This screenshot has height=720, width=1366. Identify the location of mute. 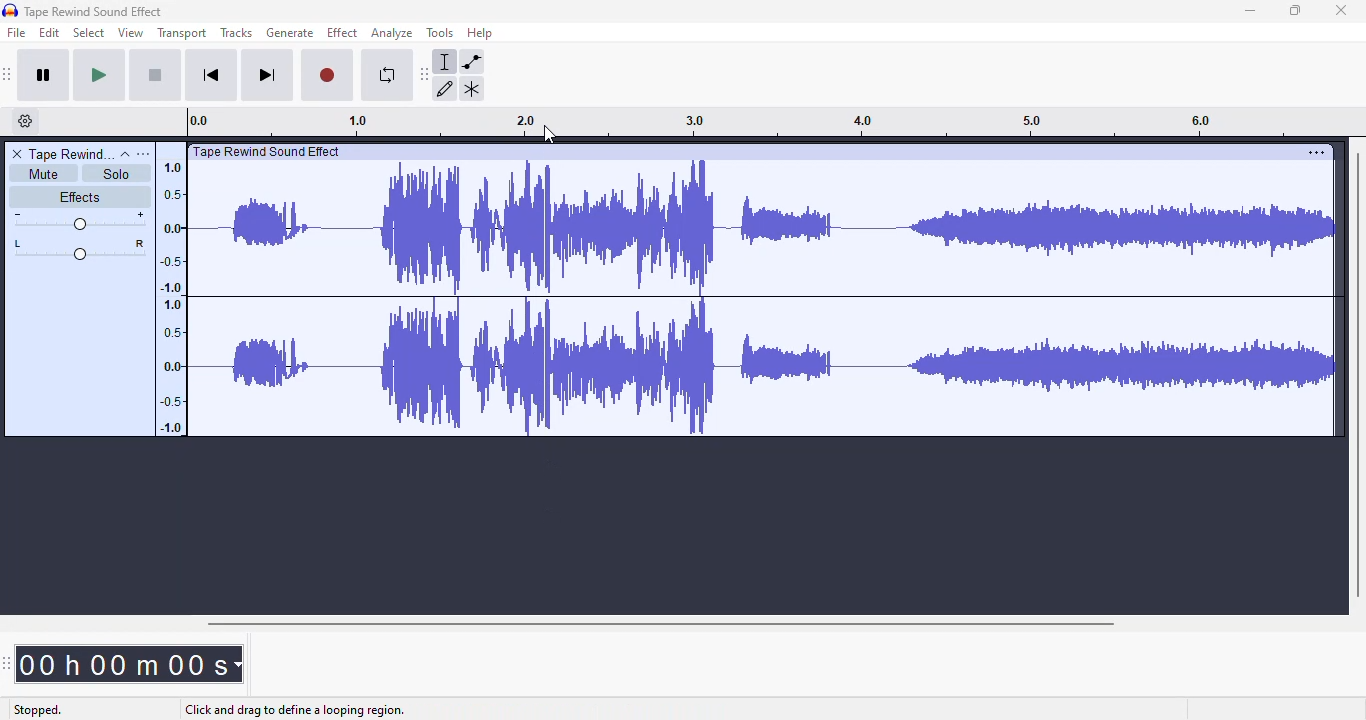
(39, 173).